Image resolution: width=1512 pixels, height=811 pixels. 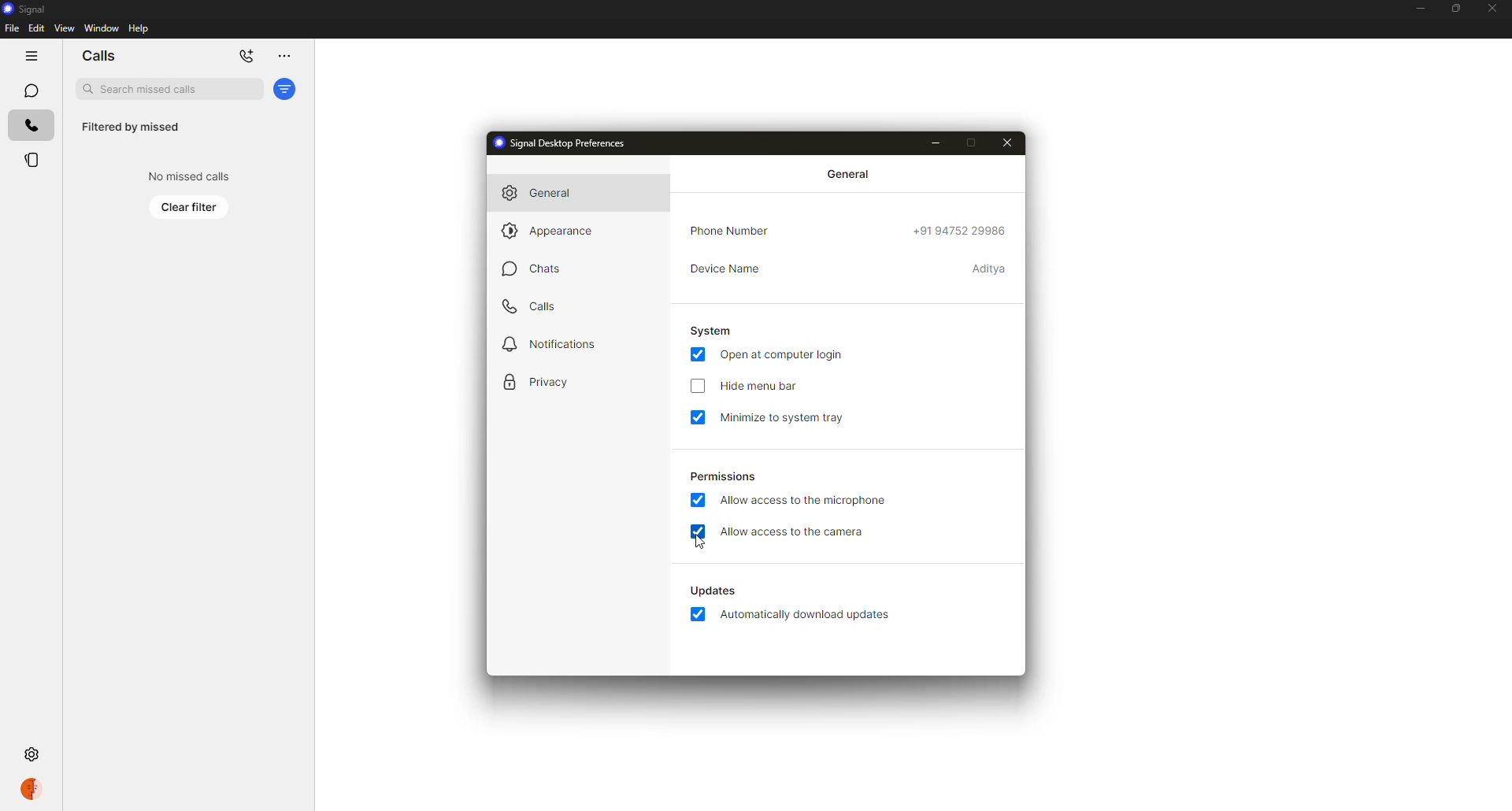 I want to click on no missed calls, so click(x=186, y=176).